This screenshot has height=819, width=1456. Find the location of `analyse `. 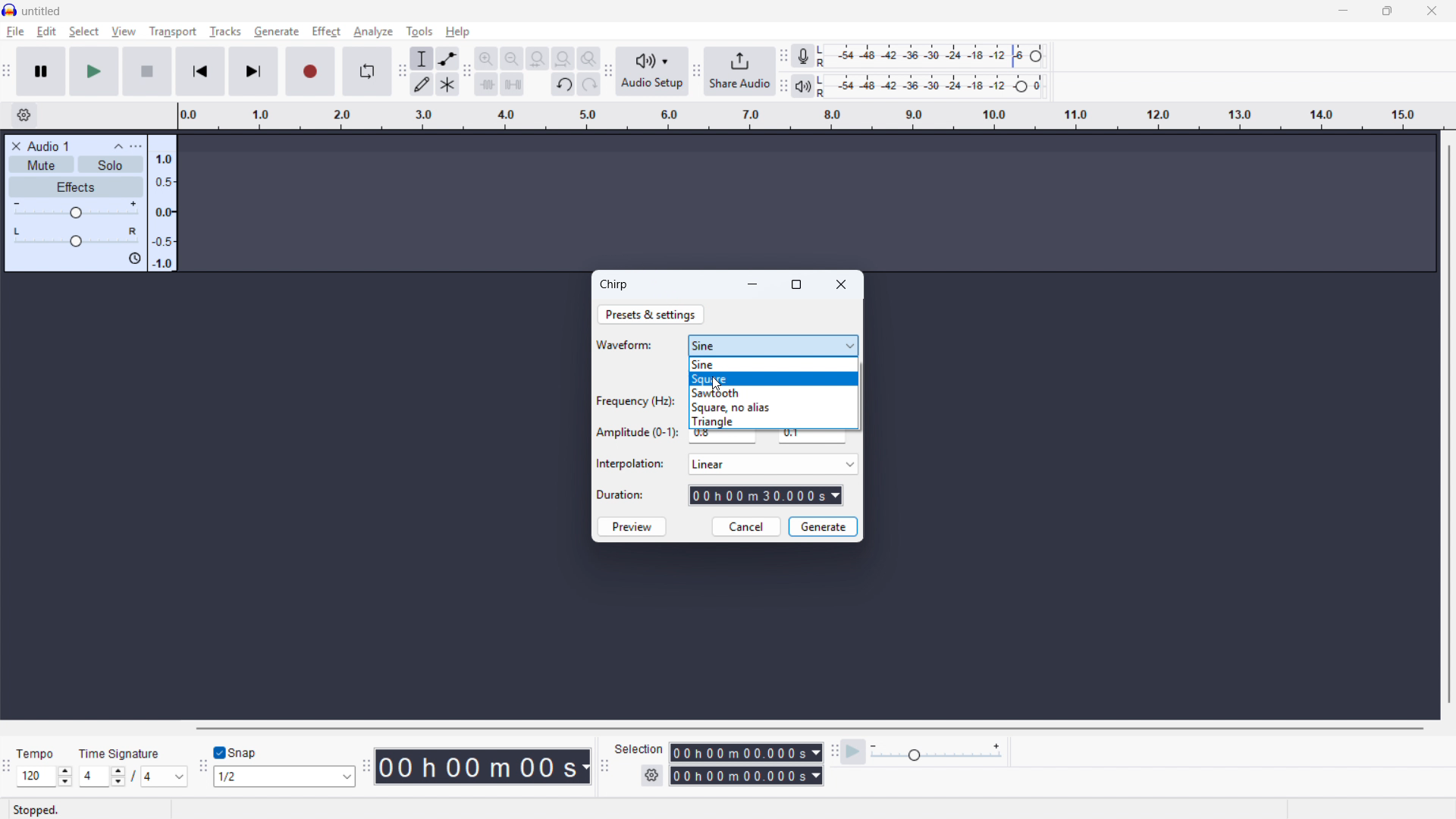

analyse  is located at coordinates (372, 33).